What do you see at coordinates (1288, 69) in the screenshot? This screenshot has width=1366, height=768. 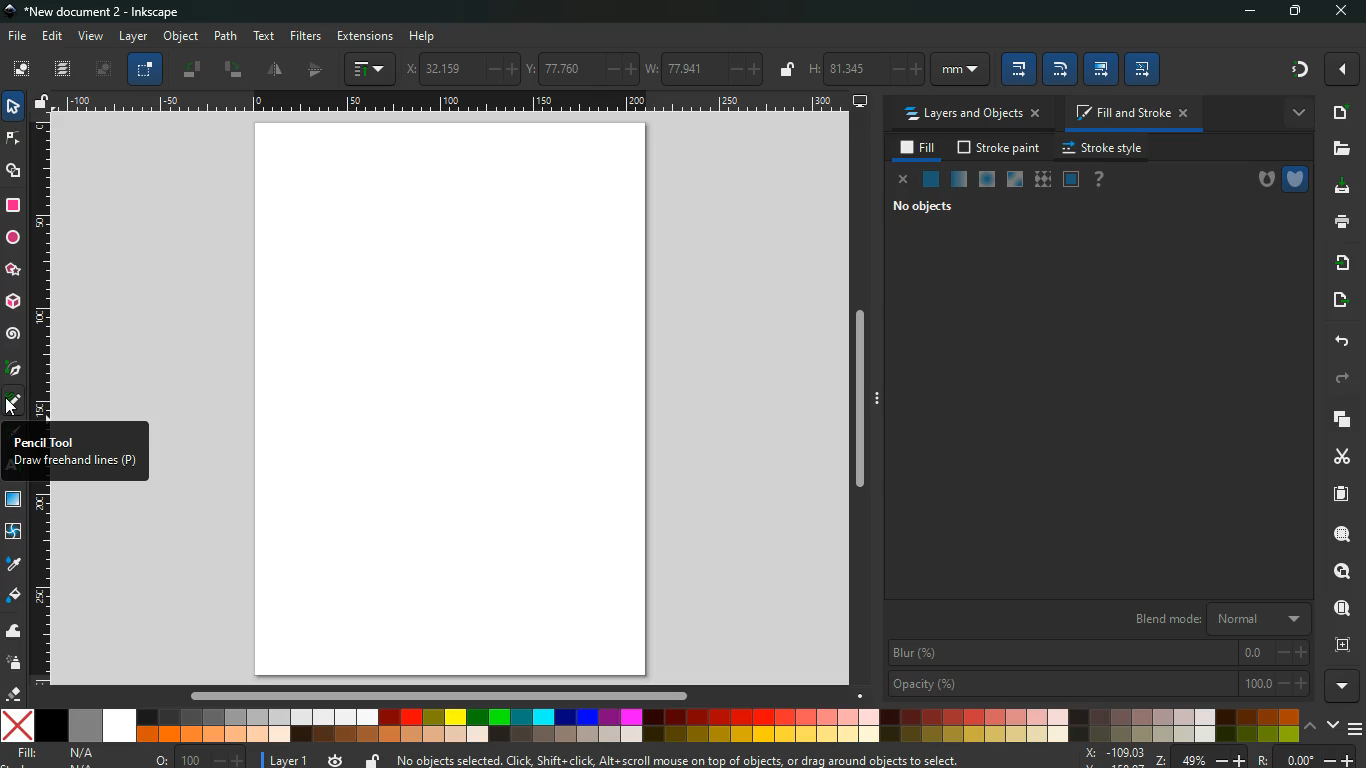 I see `gradient` at bounding box center [1288, 69].